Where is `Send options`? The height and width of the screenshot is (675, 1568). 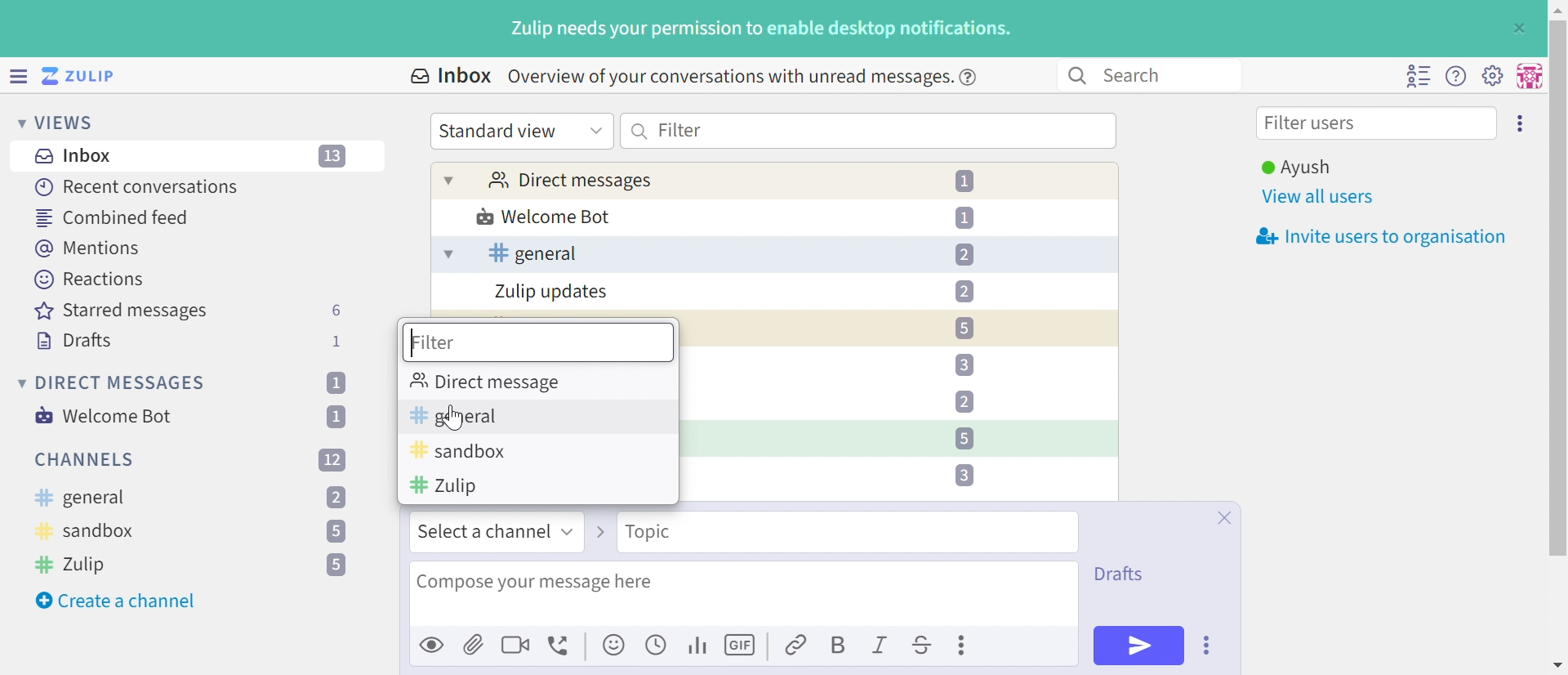
Send options is located at coordinates (1208, 646).